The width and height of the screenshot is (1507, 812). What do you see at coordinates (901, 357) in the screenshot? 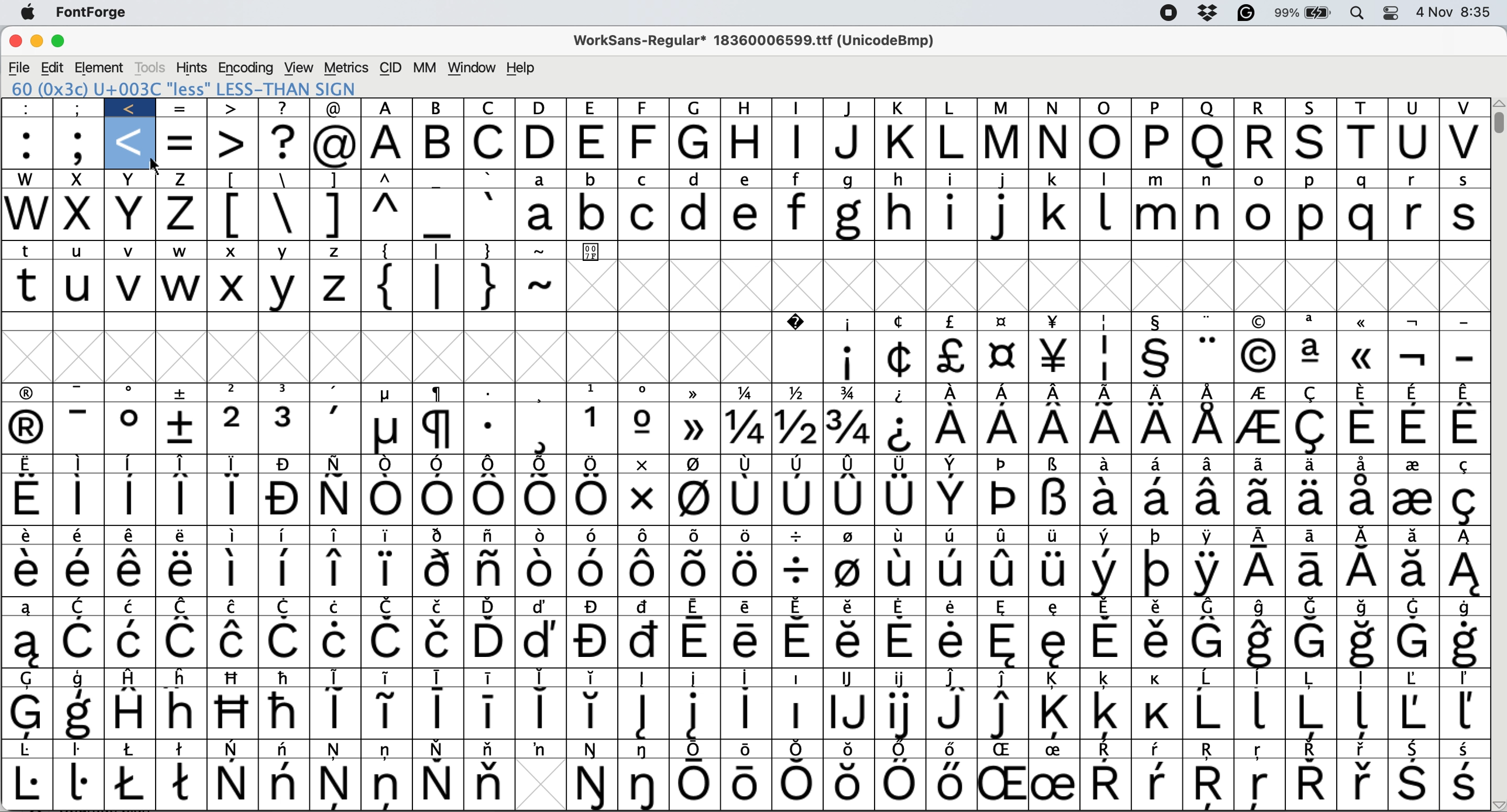
I see `Symbol` at bounding box center [901, 357].